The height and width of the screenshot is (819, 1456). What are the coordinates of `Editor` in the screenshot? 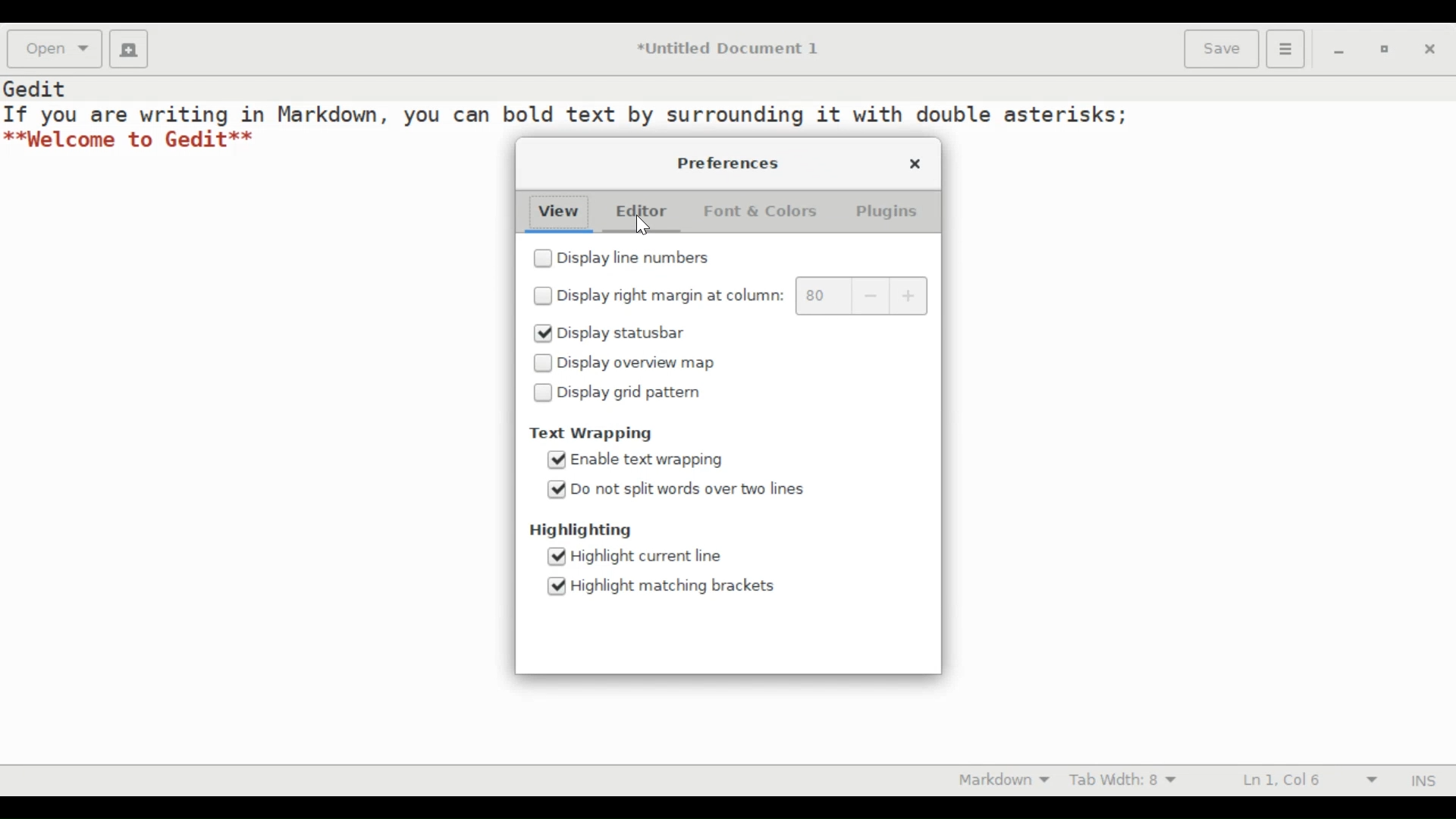 It's located at (639, 211).